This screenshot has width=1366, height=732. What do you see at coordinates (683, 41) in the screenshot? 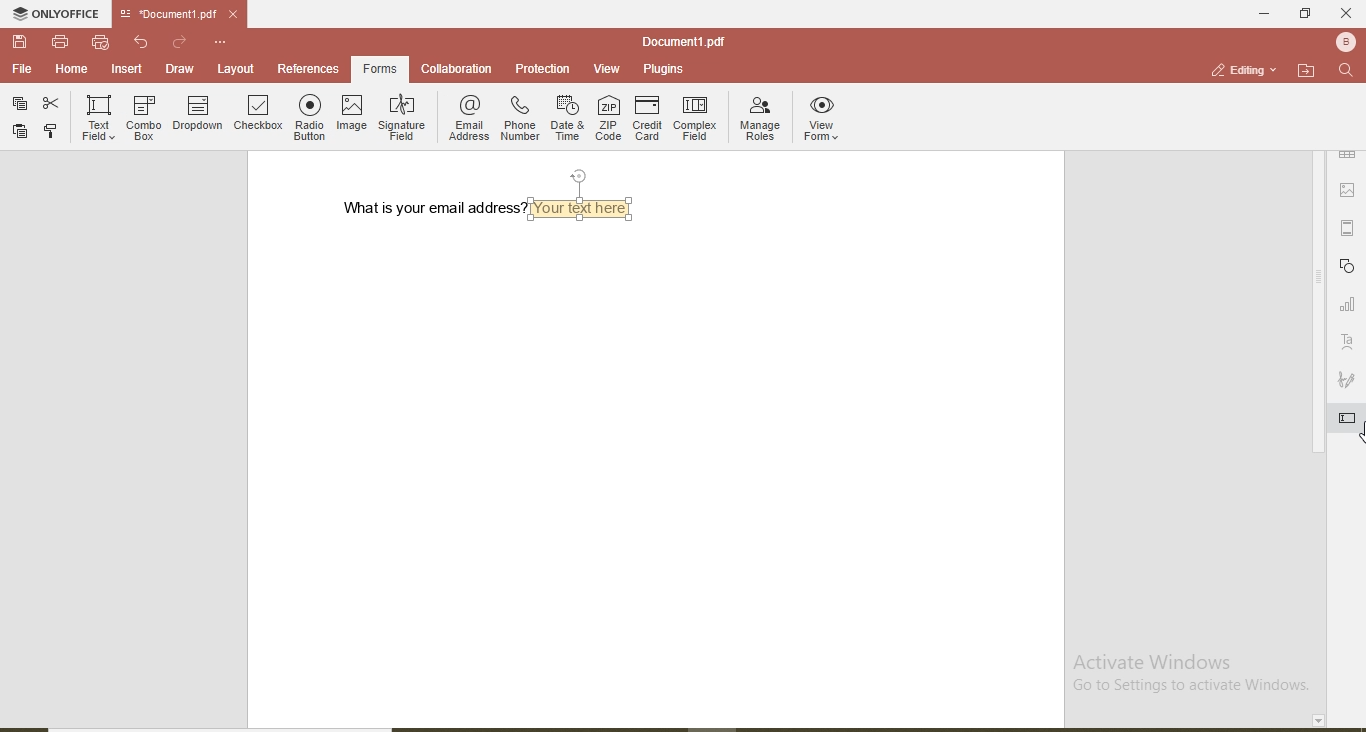
I see `file name` at bounding box center [683, 41].